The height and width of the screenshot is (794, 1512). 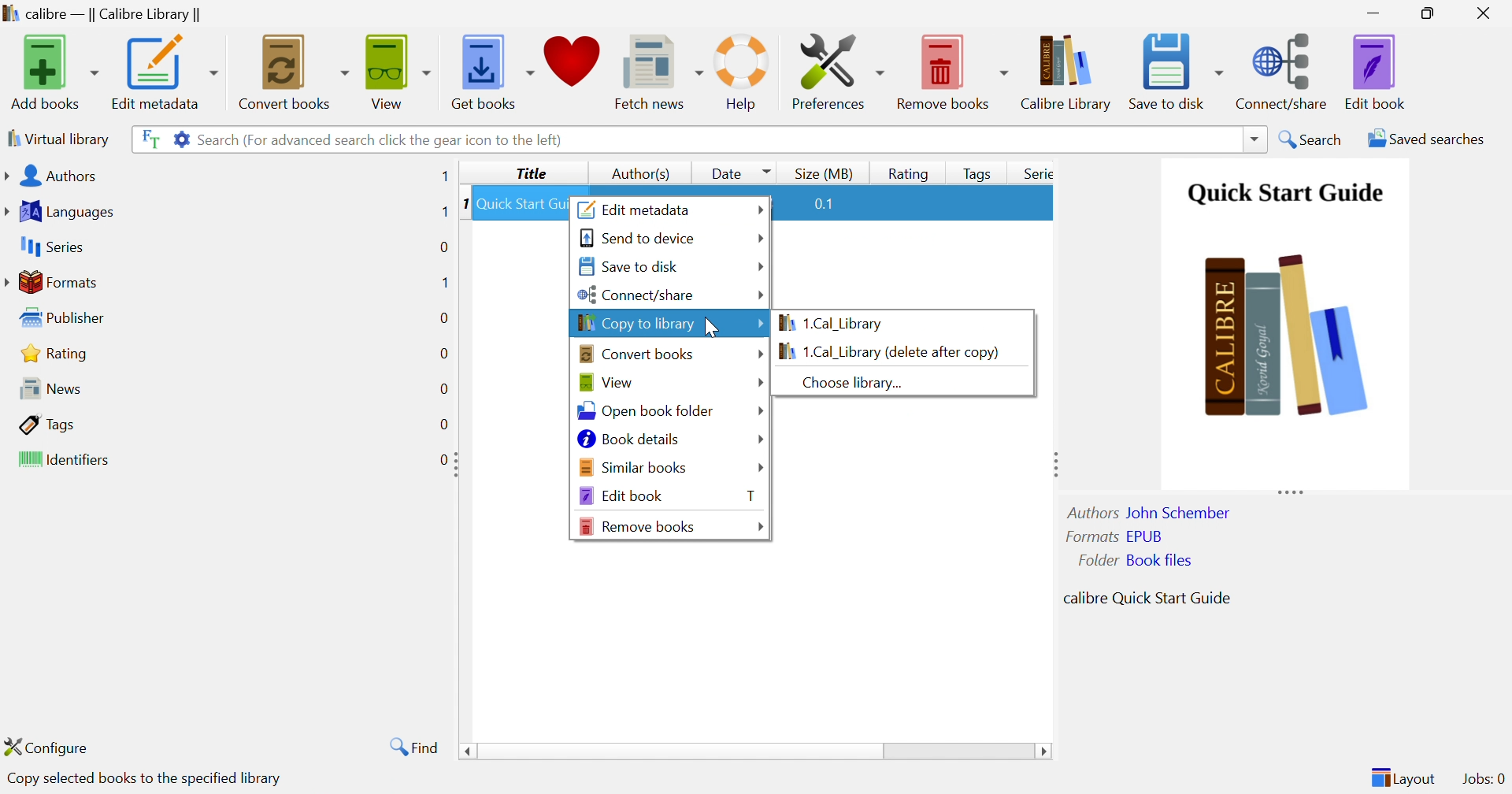 What do you see at coordinates (760, 526) in the screenshot?
I see `Drop Down` at bounding box center [760, 526].